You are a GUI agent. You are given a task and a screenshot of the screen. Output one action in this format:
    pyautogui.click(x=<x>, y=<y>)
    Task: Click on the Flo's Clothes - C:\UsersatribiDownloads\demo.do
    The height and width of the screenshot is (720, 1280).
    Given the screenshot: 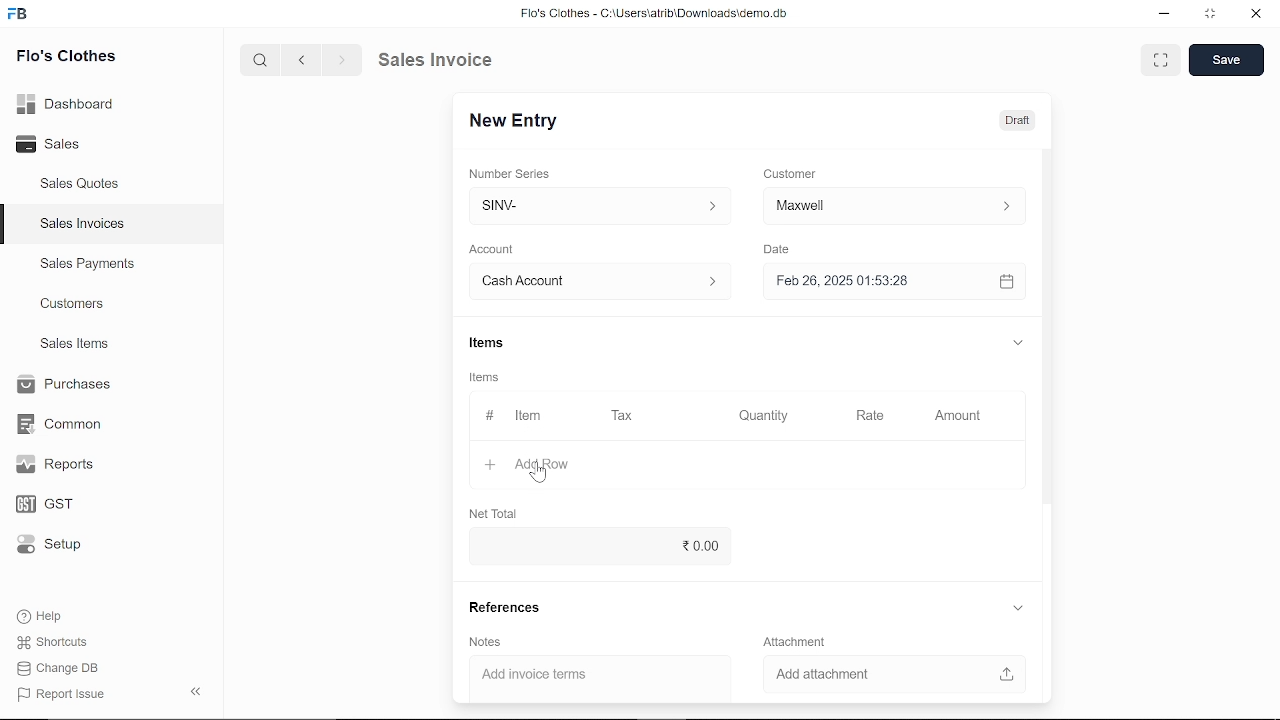 What is the action you would take?
    pyautogui.click(x=662, y=15)
    